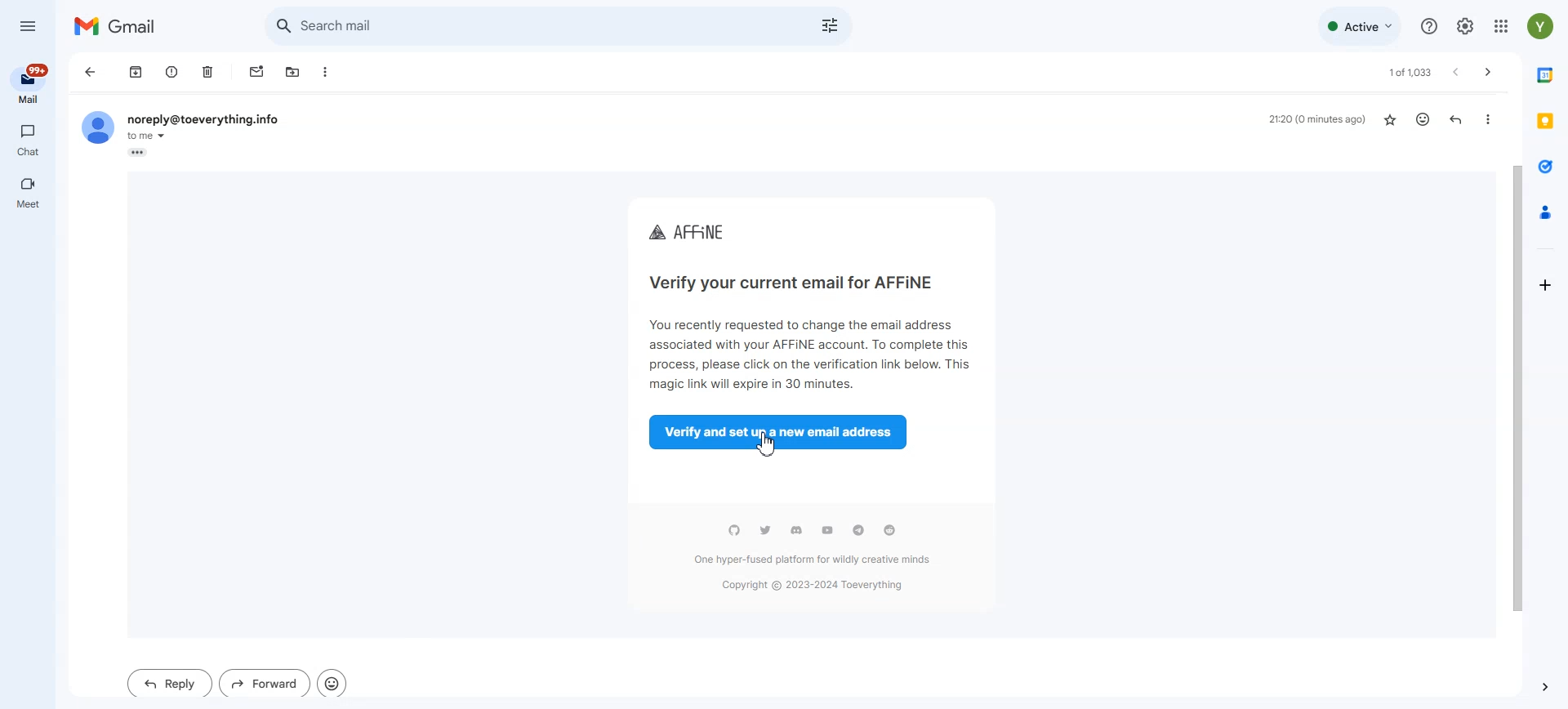 This screenshot has width=1568, height=709. Describe the element at coordinates (331, 683) in the screenshot. I see `Add Reaction` at that location.